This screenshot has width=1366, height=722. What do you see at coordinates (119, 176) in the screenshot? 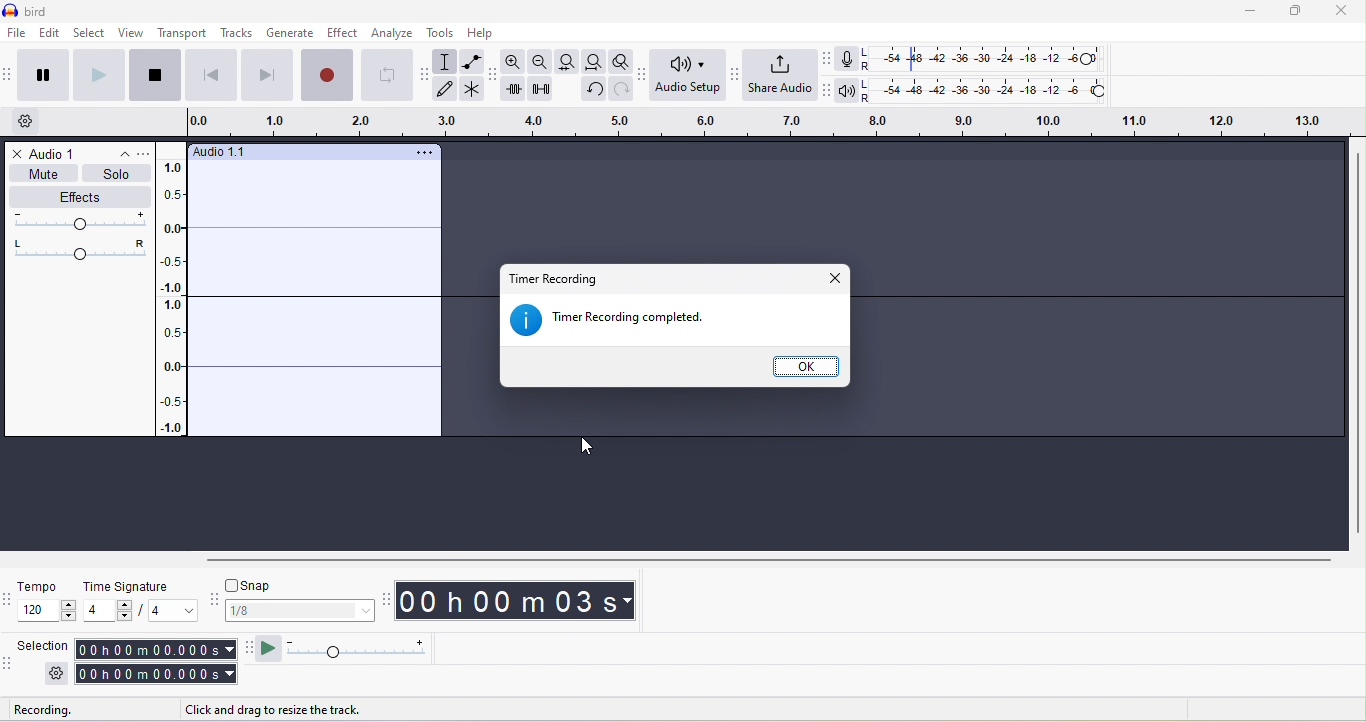
I see `solo` at bounding box center [119, 176].